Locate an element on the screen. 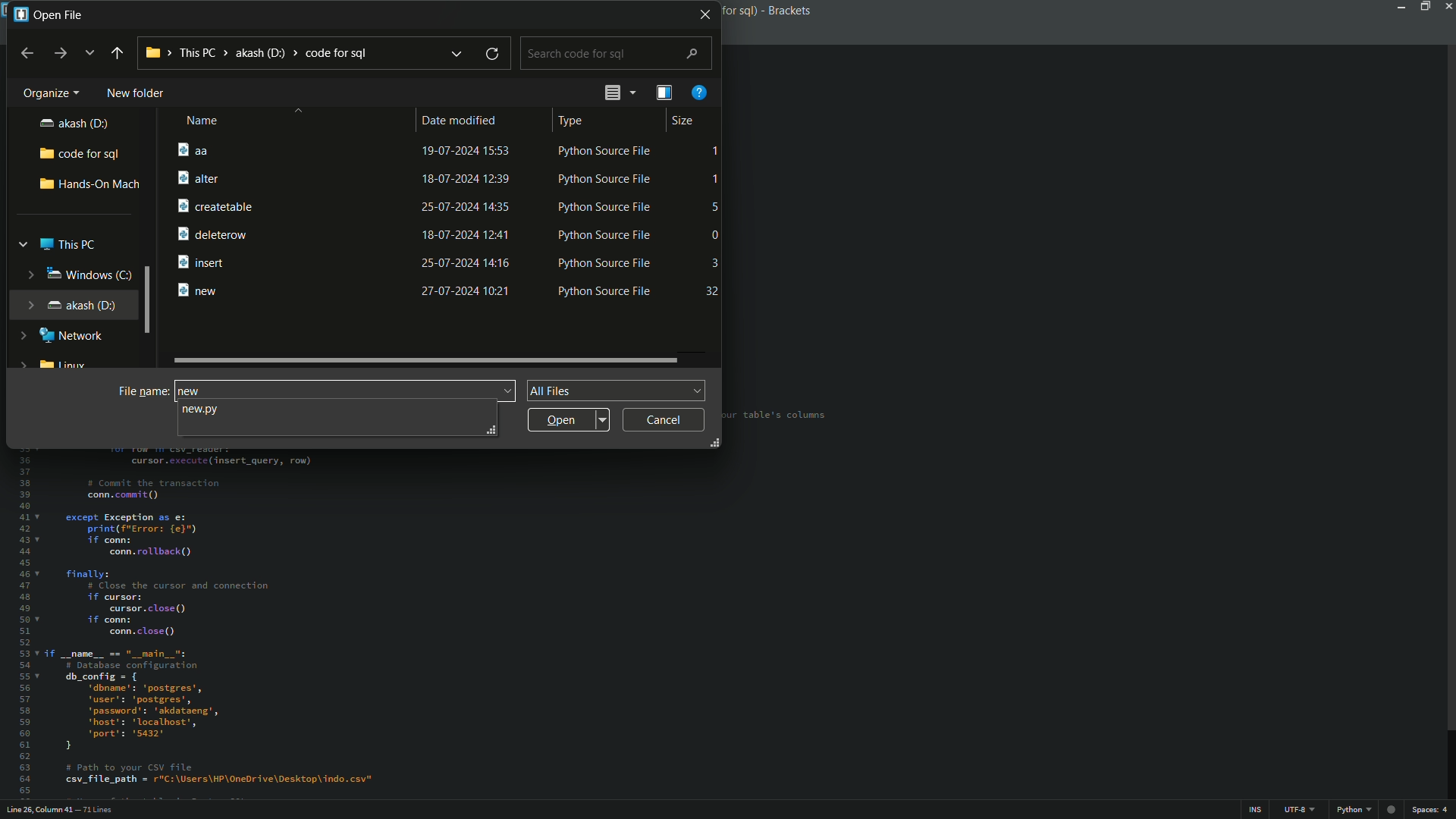 The height and width of the screenshot is (819, 1456). name is located at coordinates (199, 121).